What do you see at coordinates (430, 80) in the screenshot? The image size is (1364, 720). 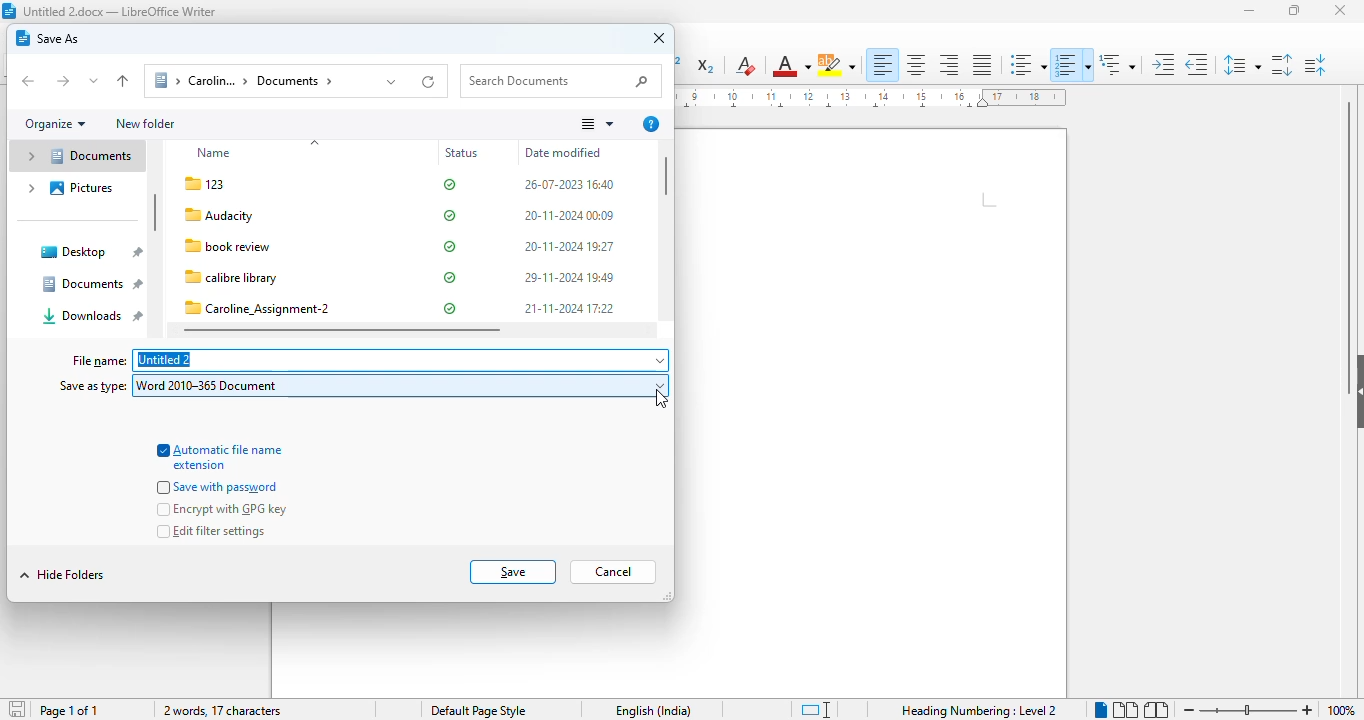 I see `refresh "documents"` at bounding box center [430, 80].